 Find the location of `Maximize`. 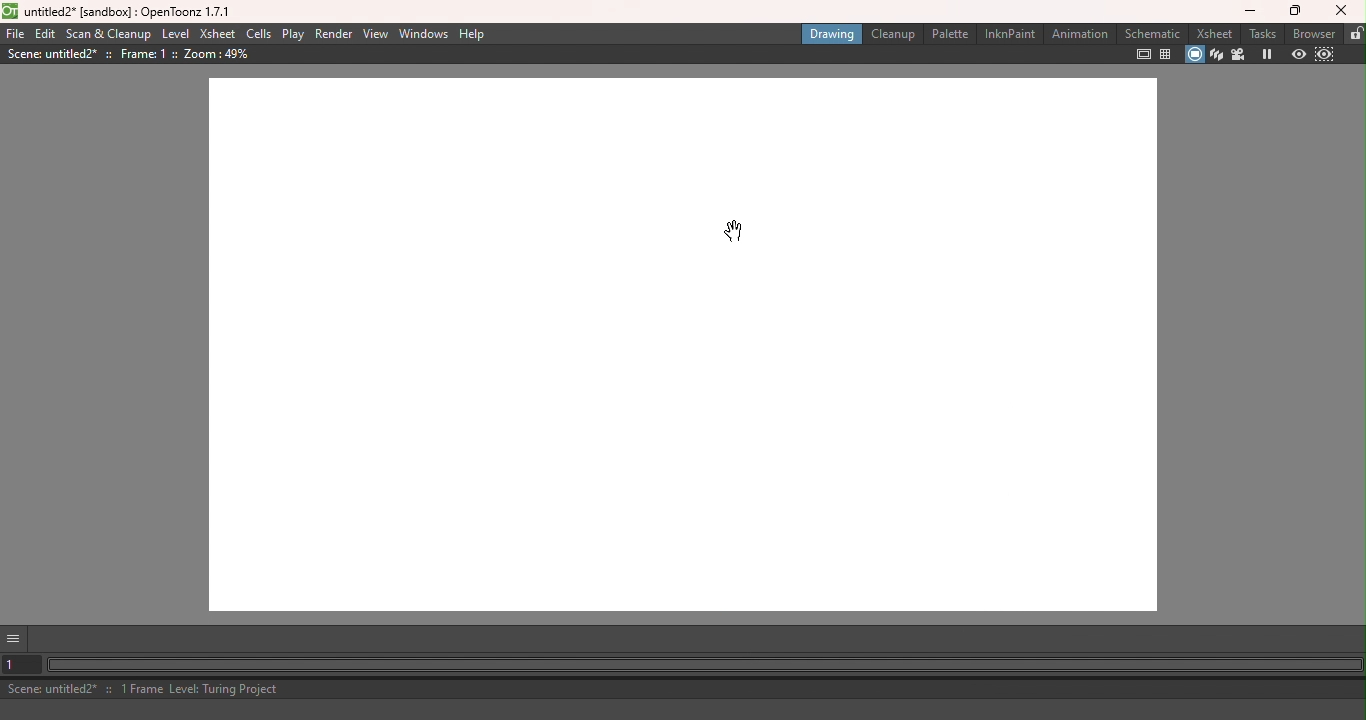

Maximize is located at coordinates (1291, 12).